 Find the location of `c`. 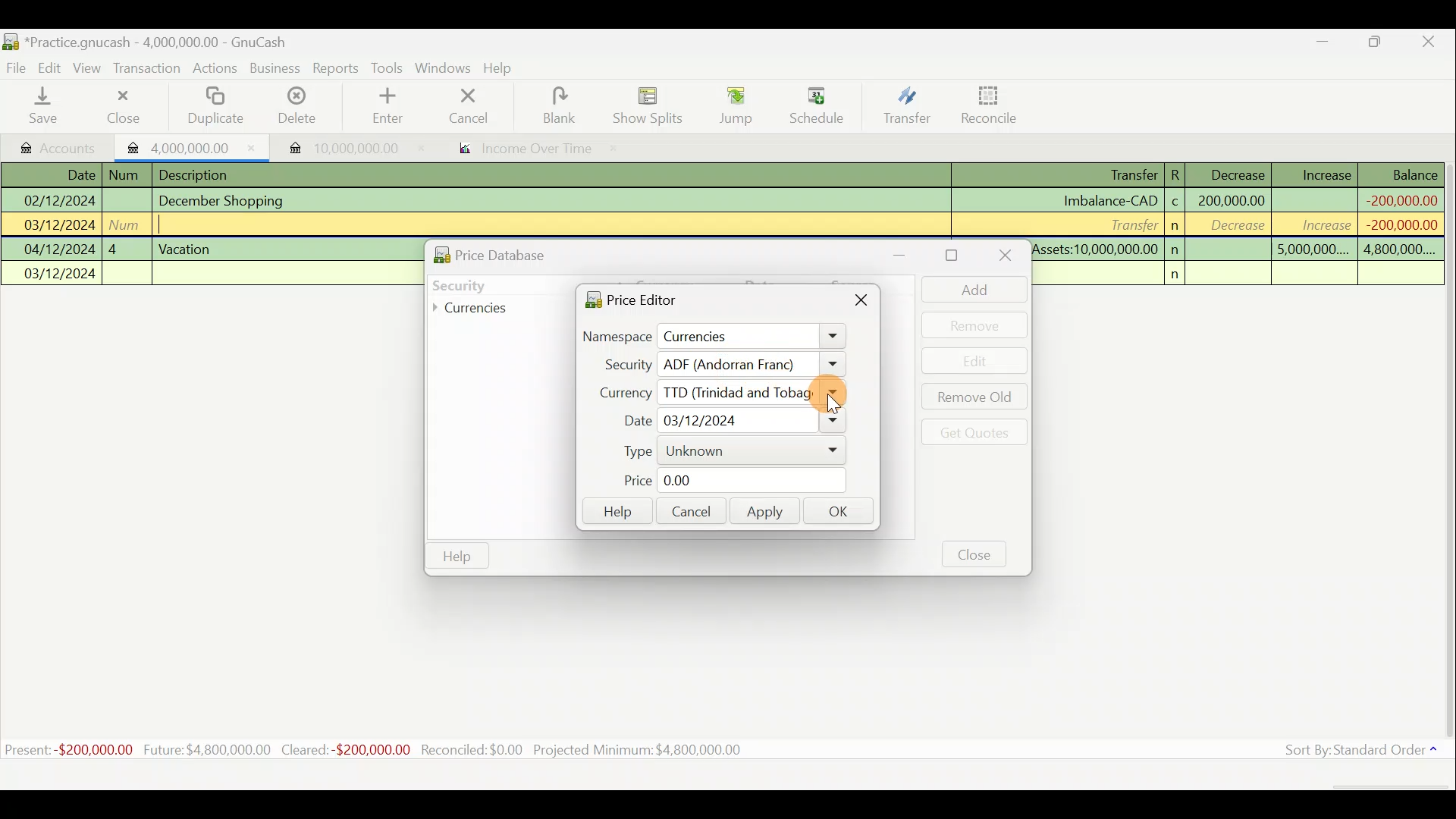

c is located at coordinates (1175, 203).